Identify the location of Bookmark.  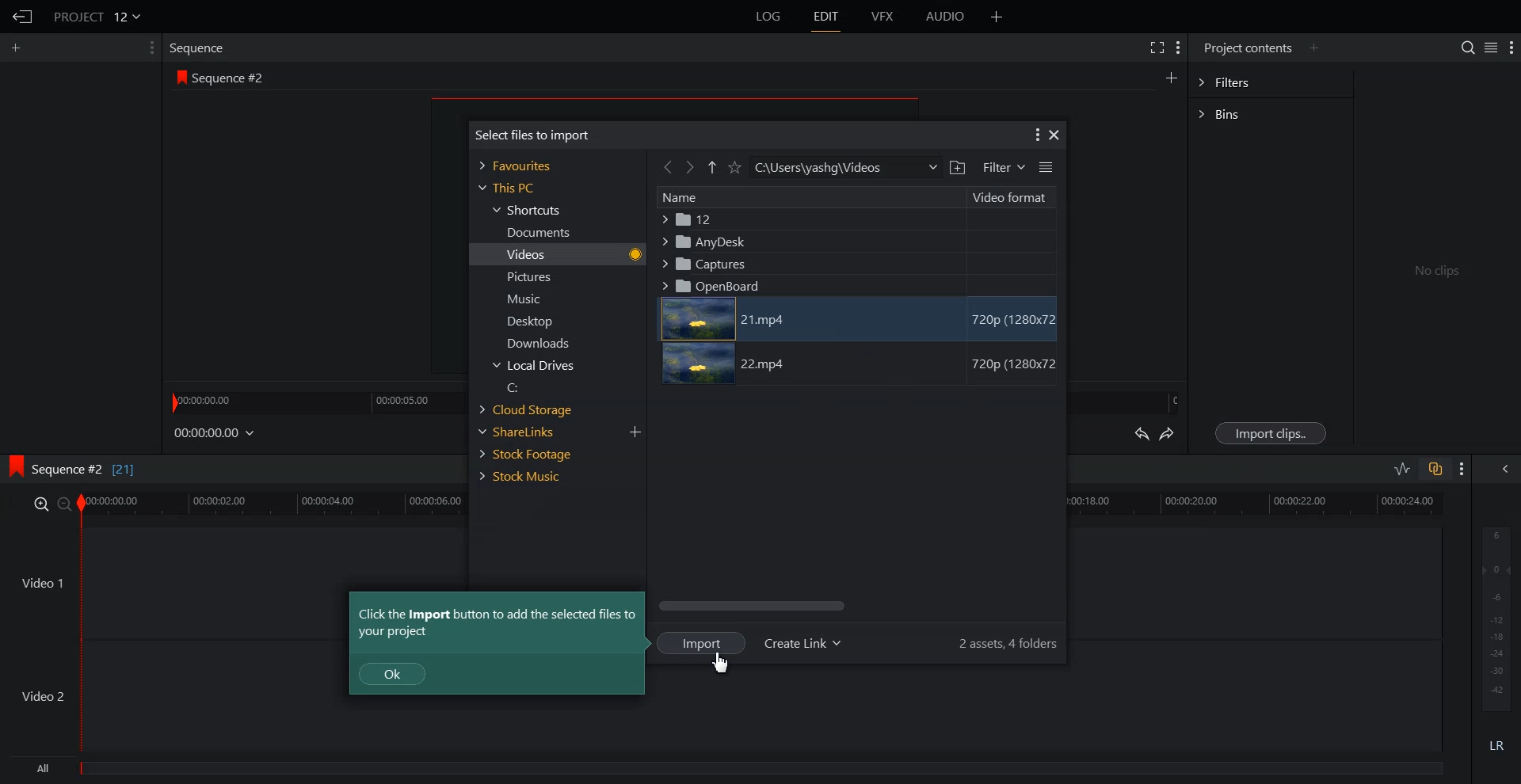
(736, 167).